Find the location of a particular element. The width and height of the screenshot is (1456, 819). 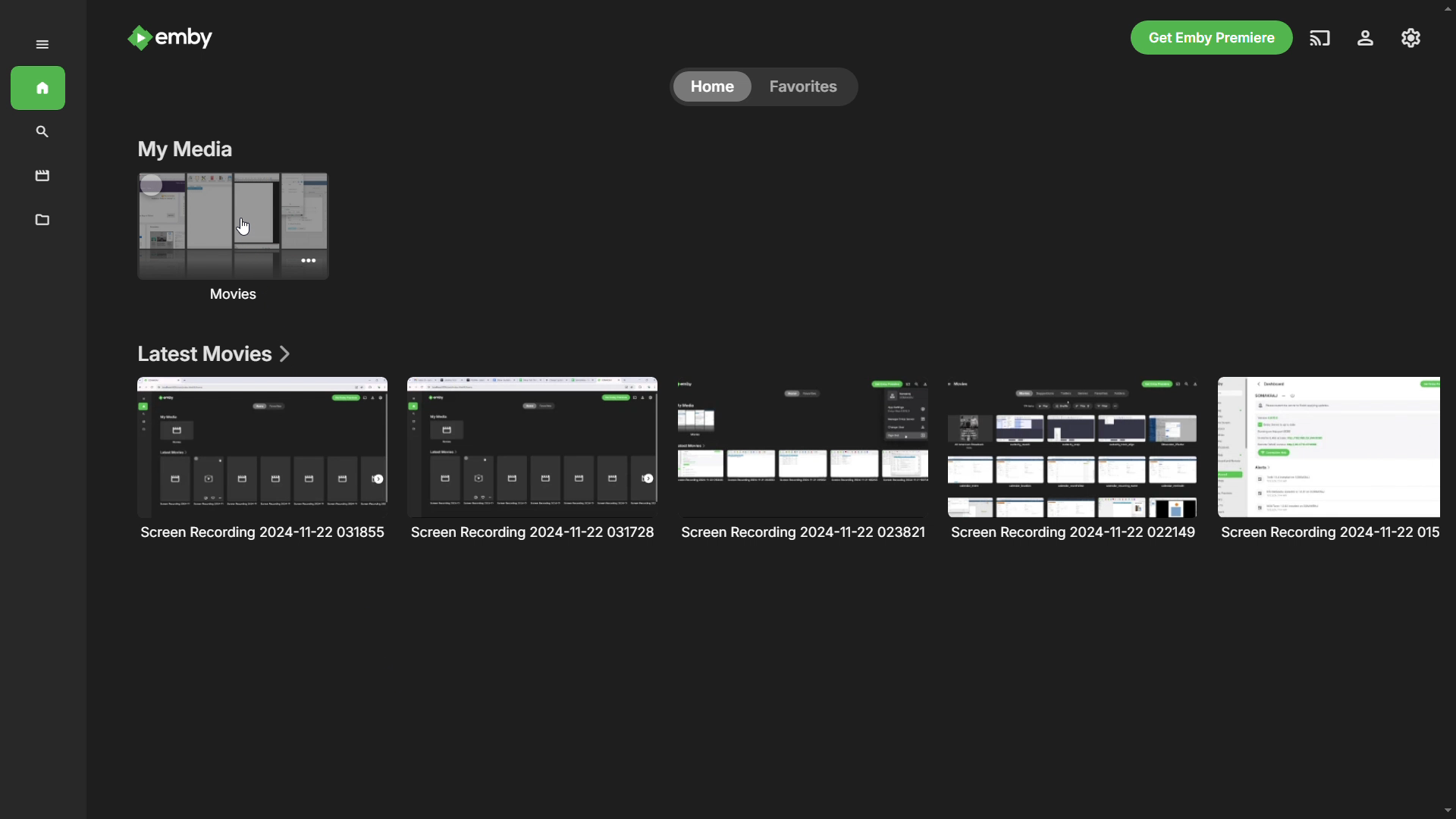

my media is located at coordinates (185, 149).